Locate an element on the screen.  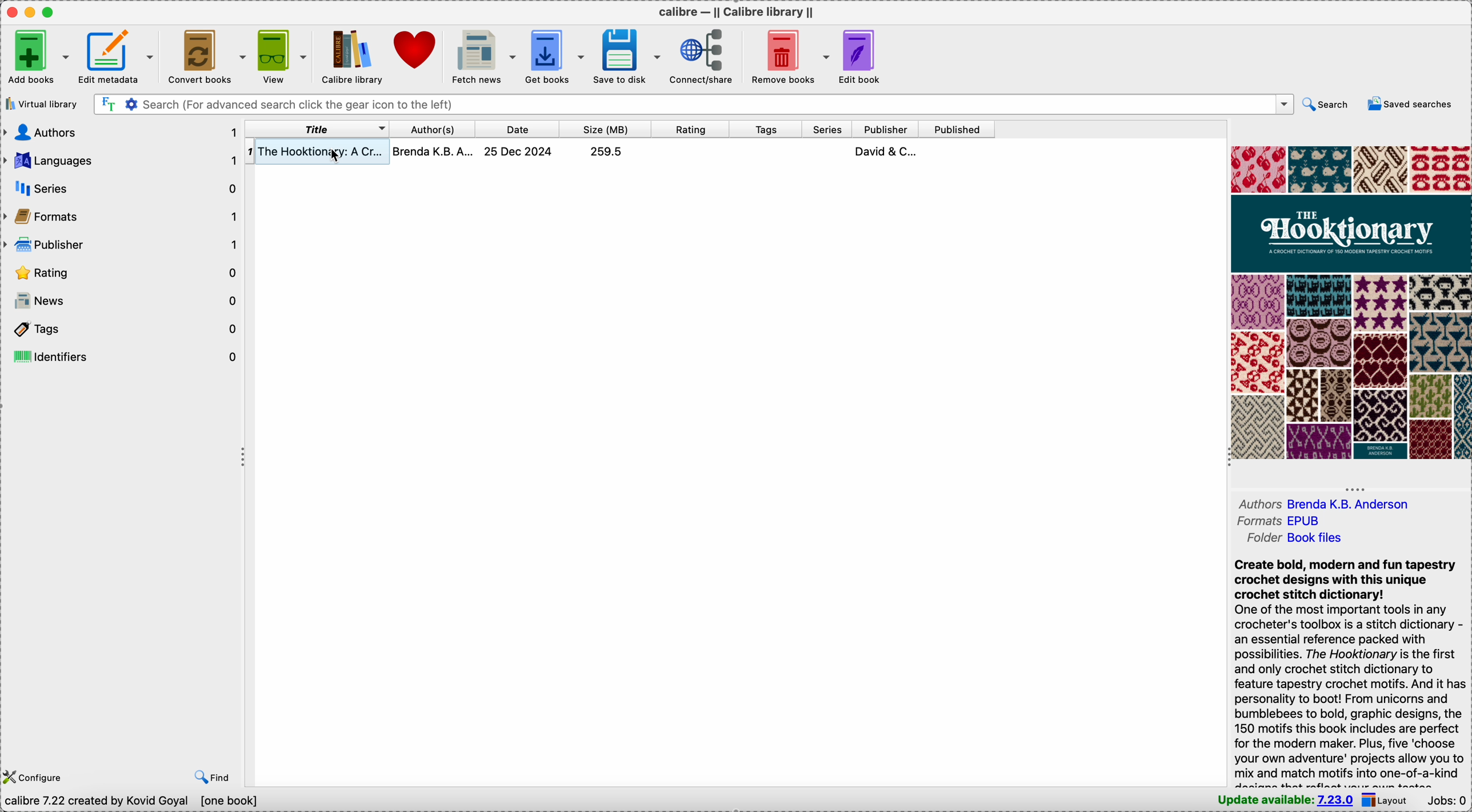
find is located at coordinates (214, 777).